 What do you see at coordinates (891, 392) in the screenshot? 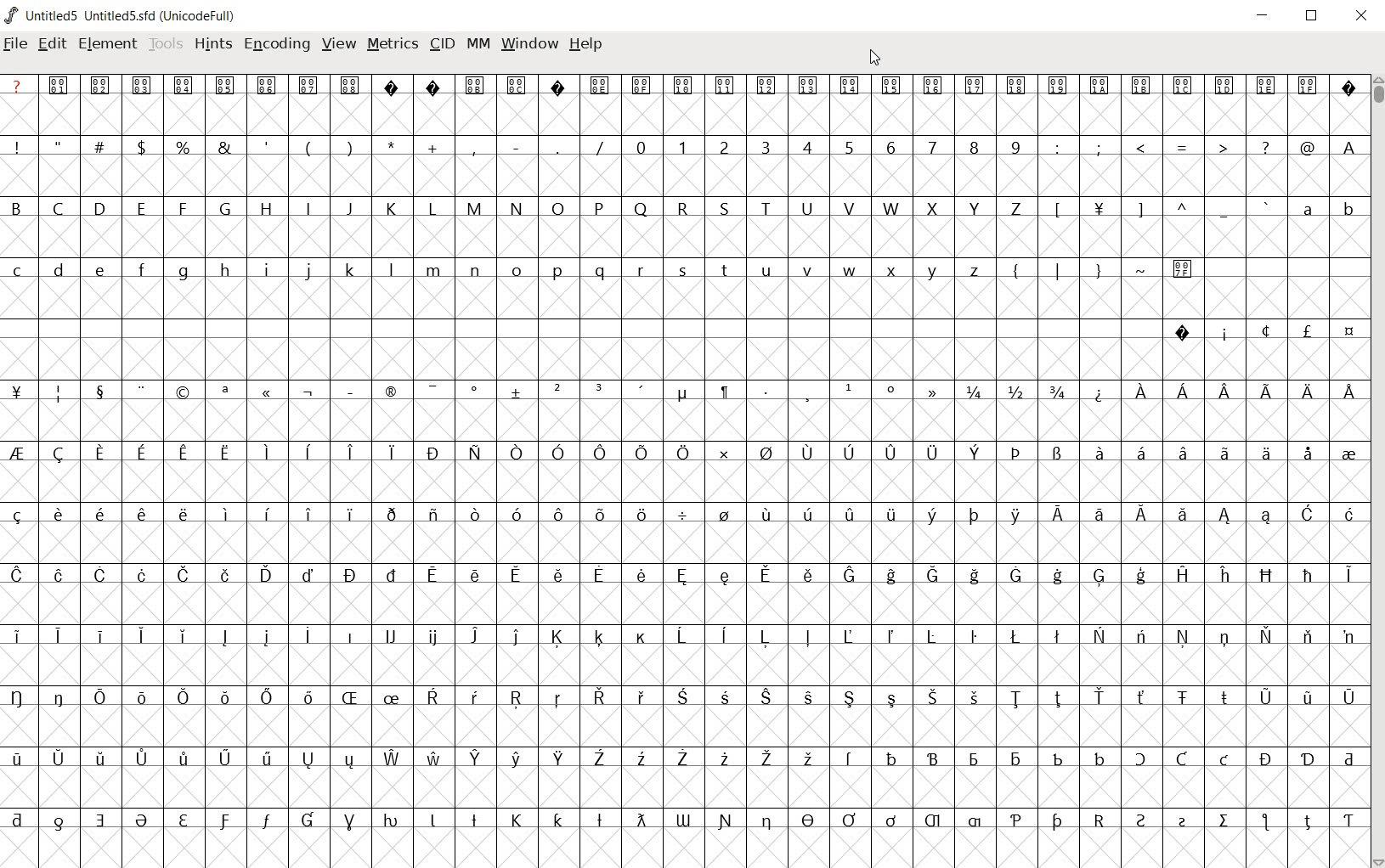
I see `Symbol` at bounding box center [891, 392].